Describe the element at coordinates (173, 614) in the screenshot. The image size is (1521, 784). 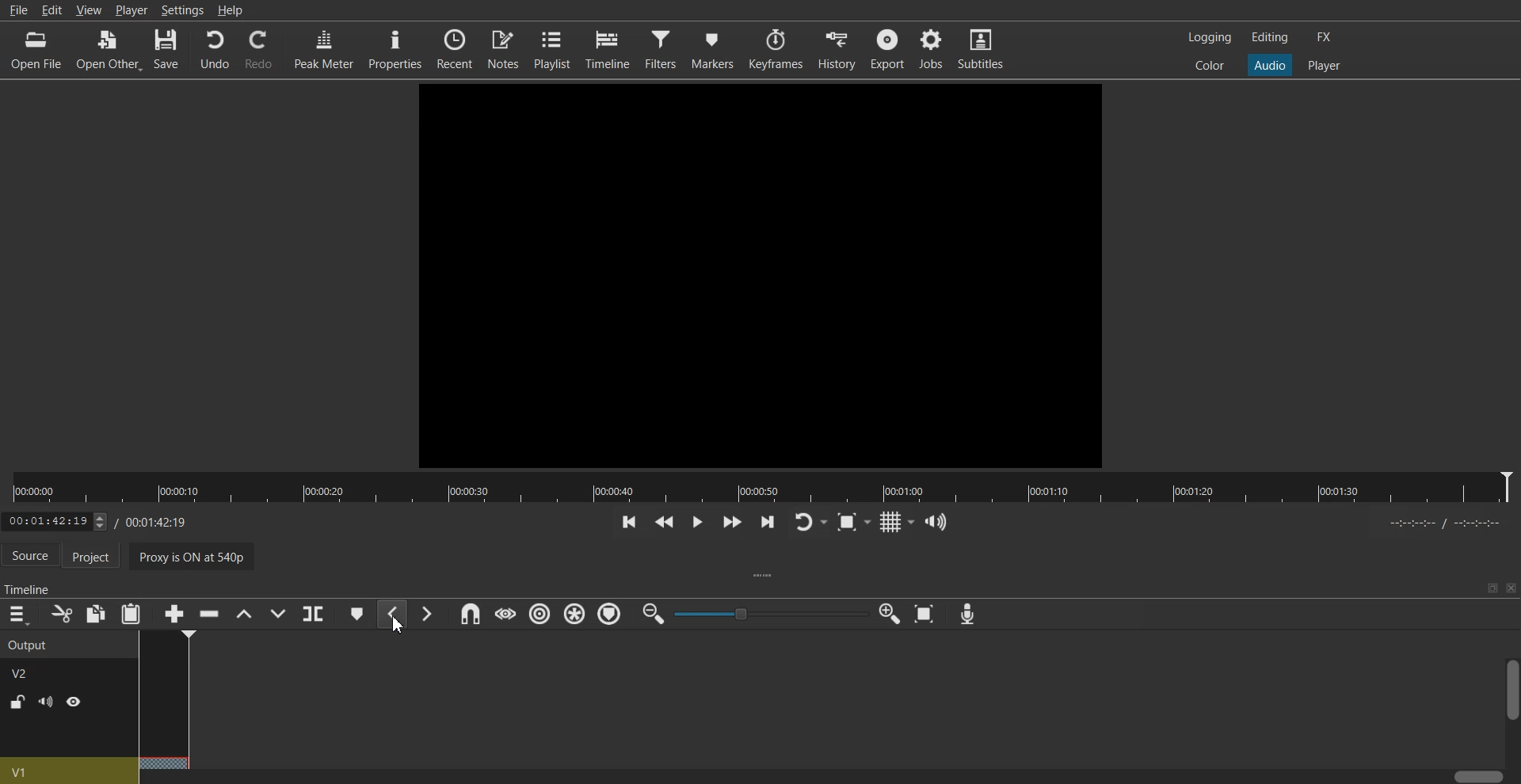
I see `Append` at that location.